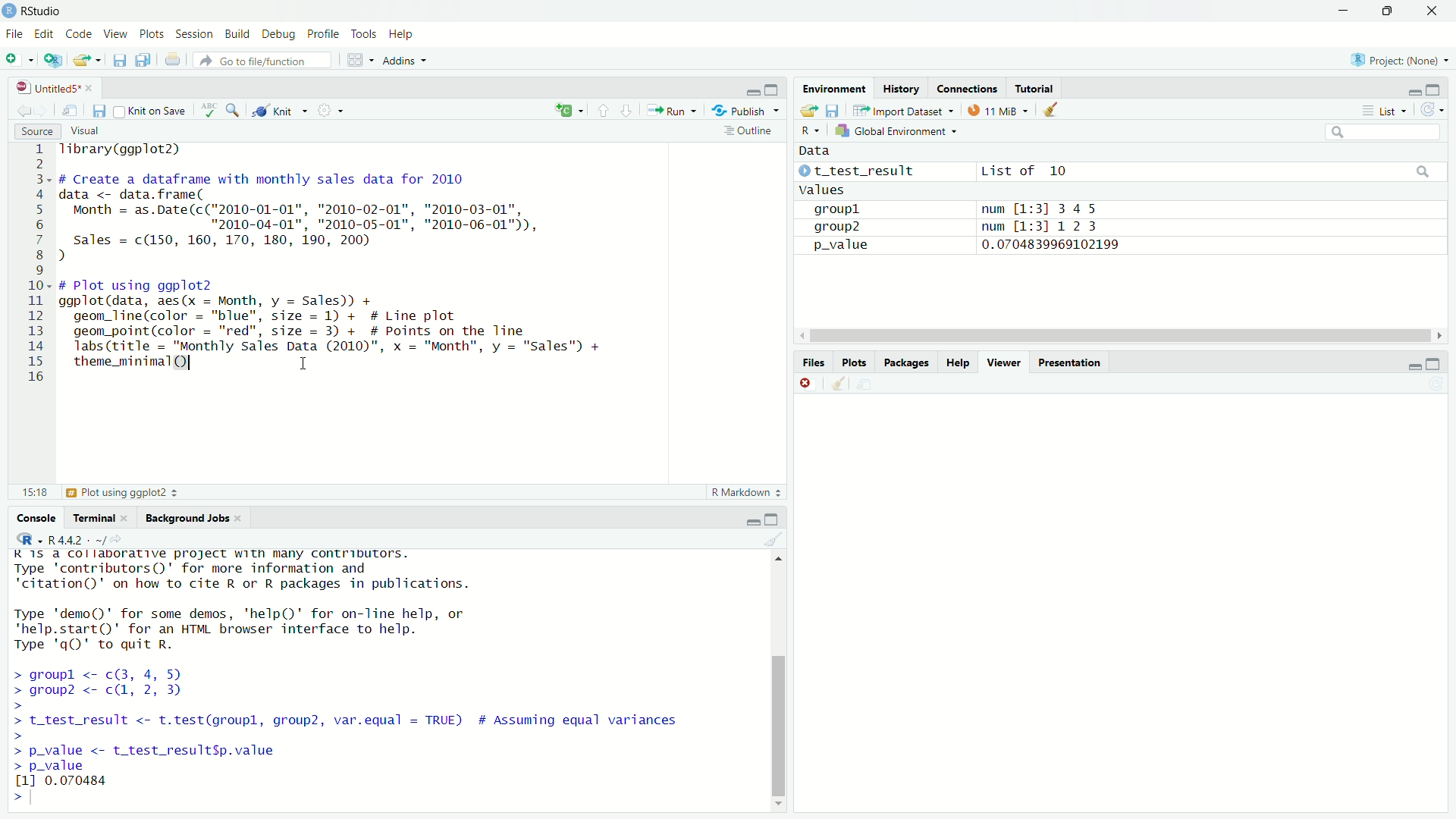 This screenshot has height=819, width=1456. Describe the element at coordinates (902, 87) in the screenshot. I see `History` at that location.